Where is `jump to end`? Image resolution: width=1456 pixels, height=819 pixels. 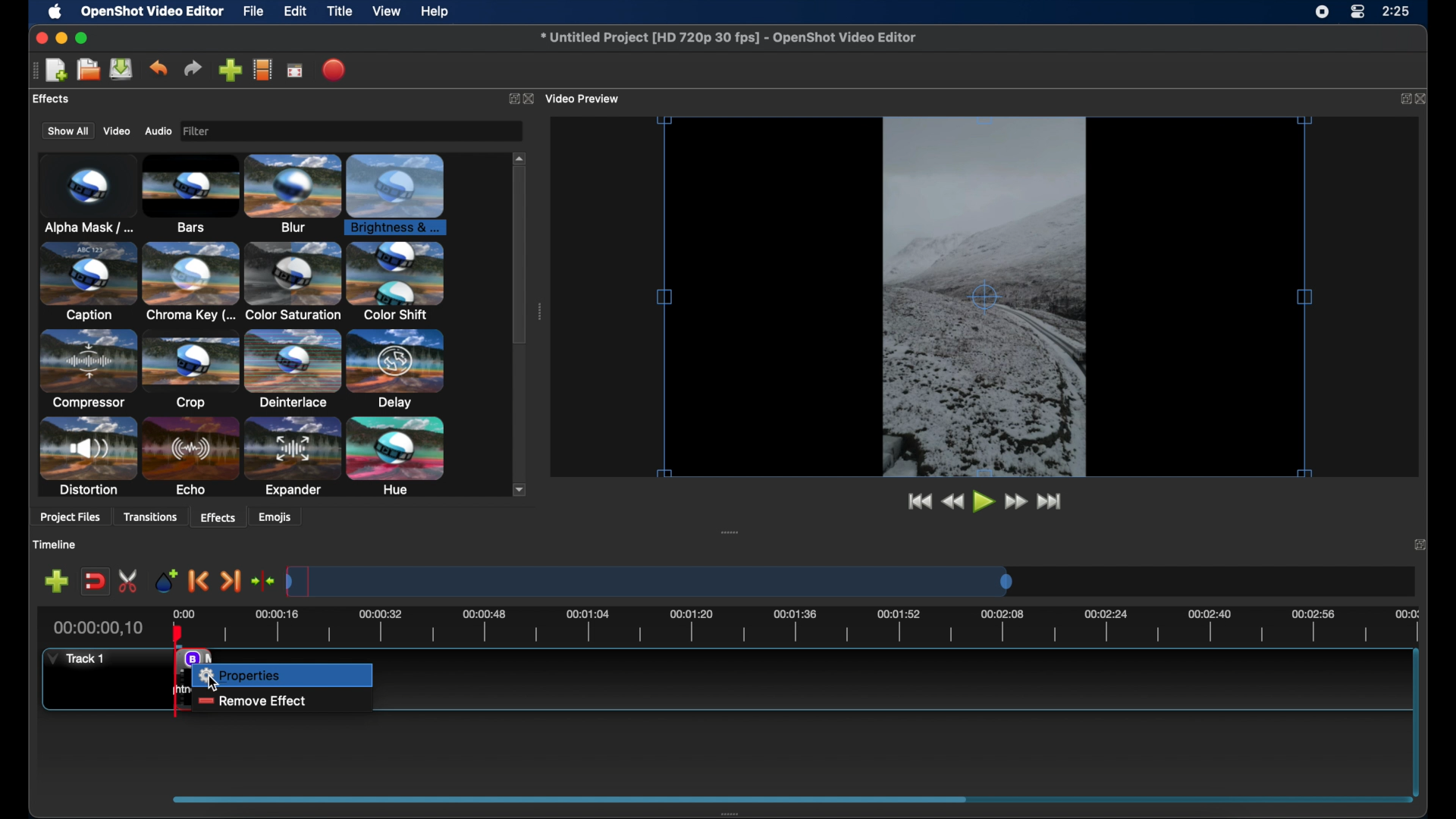 jump to end is located at coordinates (1050, 500).